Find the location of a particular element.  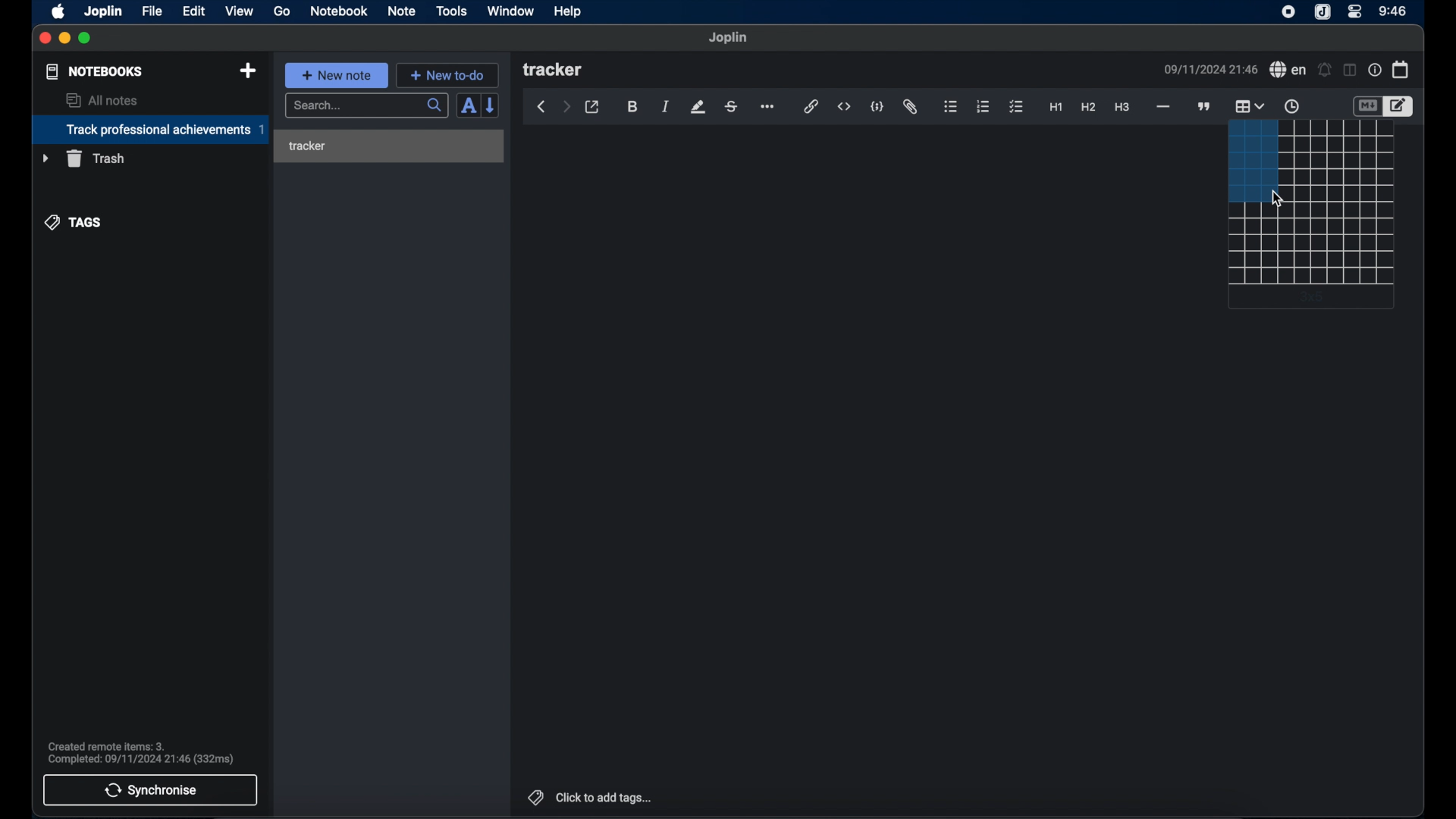

3 x 6 is located at coordinates (1314, 297).